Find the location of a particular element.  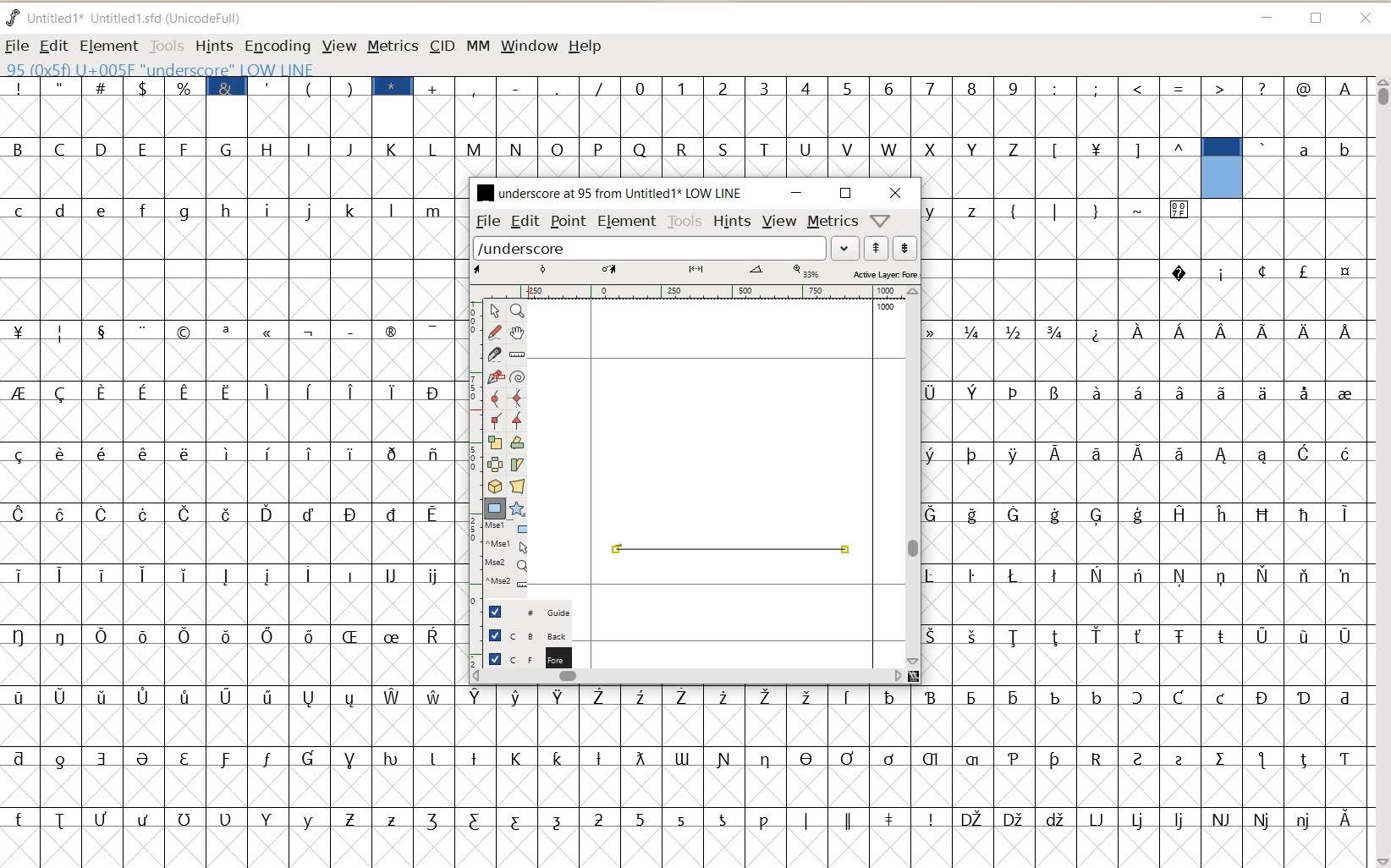

GLYPHY INFO is located at coordinates (264, 68).